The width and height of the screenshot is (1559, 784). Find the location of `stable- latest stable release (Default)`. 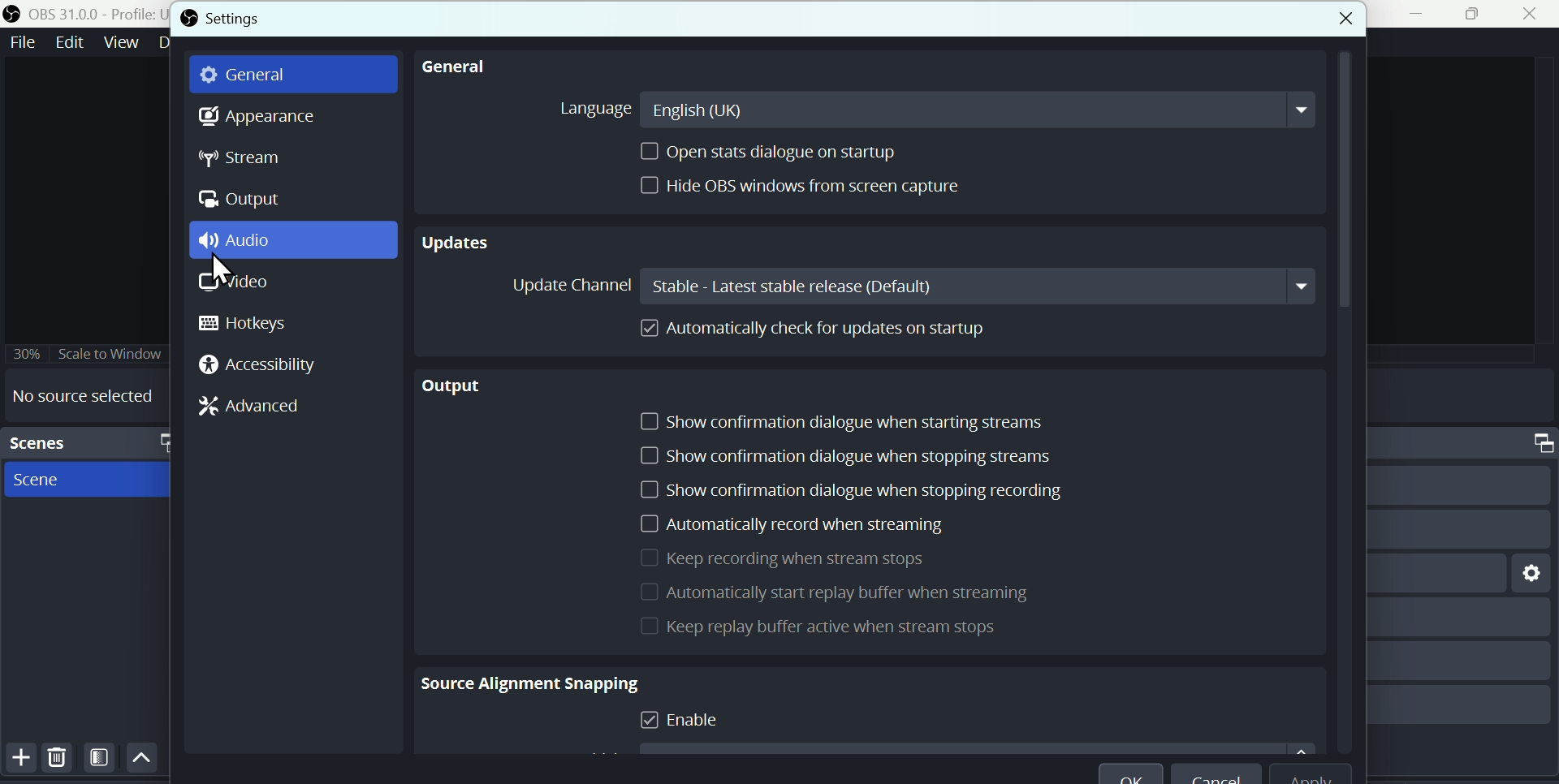

stable- latest stable release (Default) is located at coordinates (978, 287).